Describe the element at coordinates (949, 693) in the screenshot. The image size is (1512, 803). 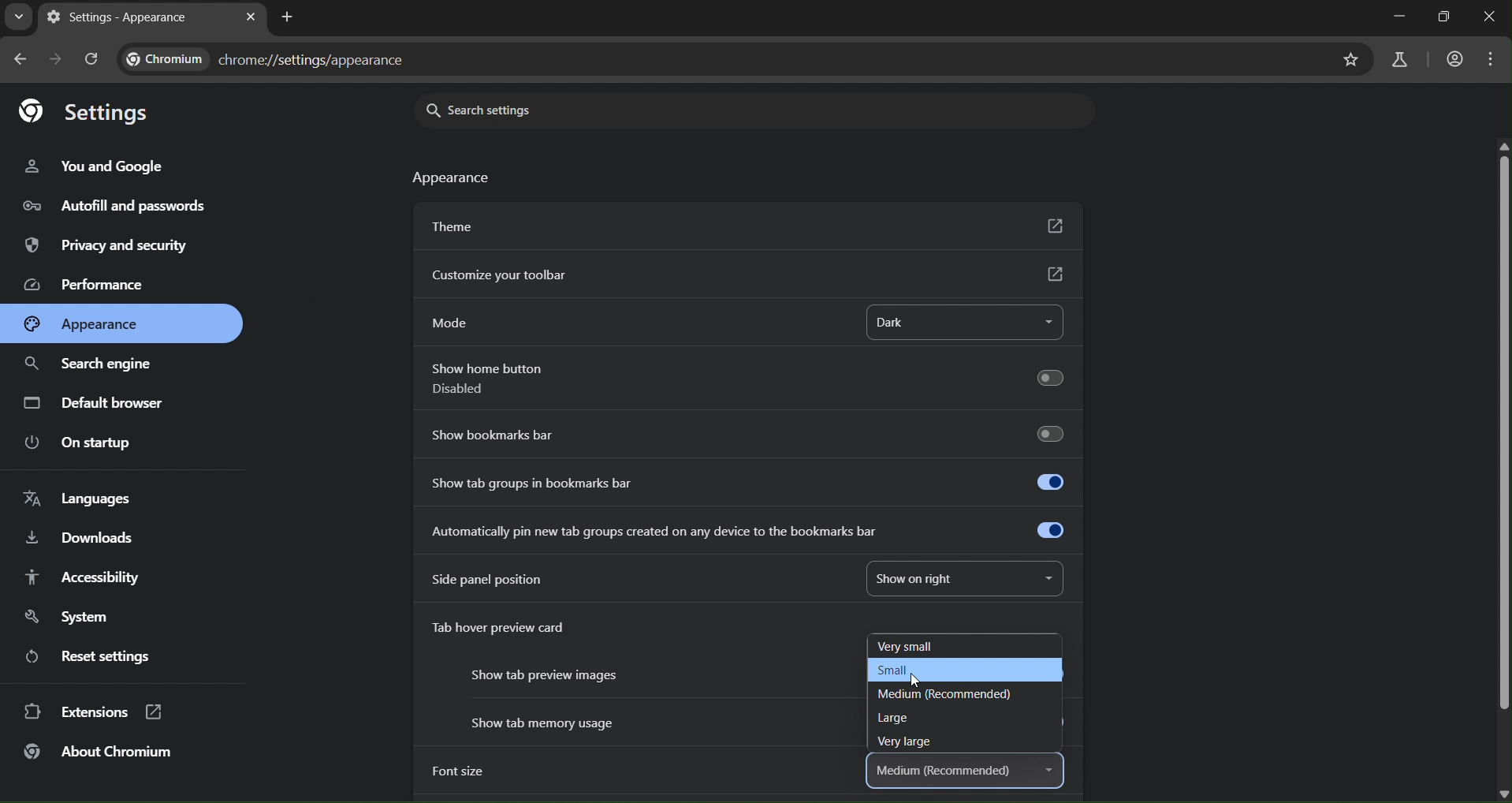
I see `medium` at that location.